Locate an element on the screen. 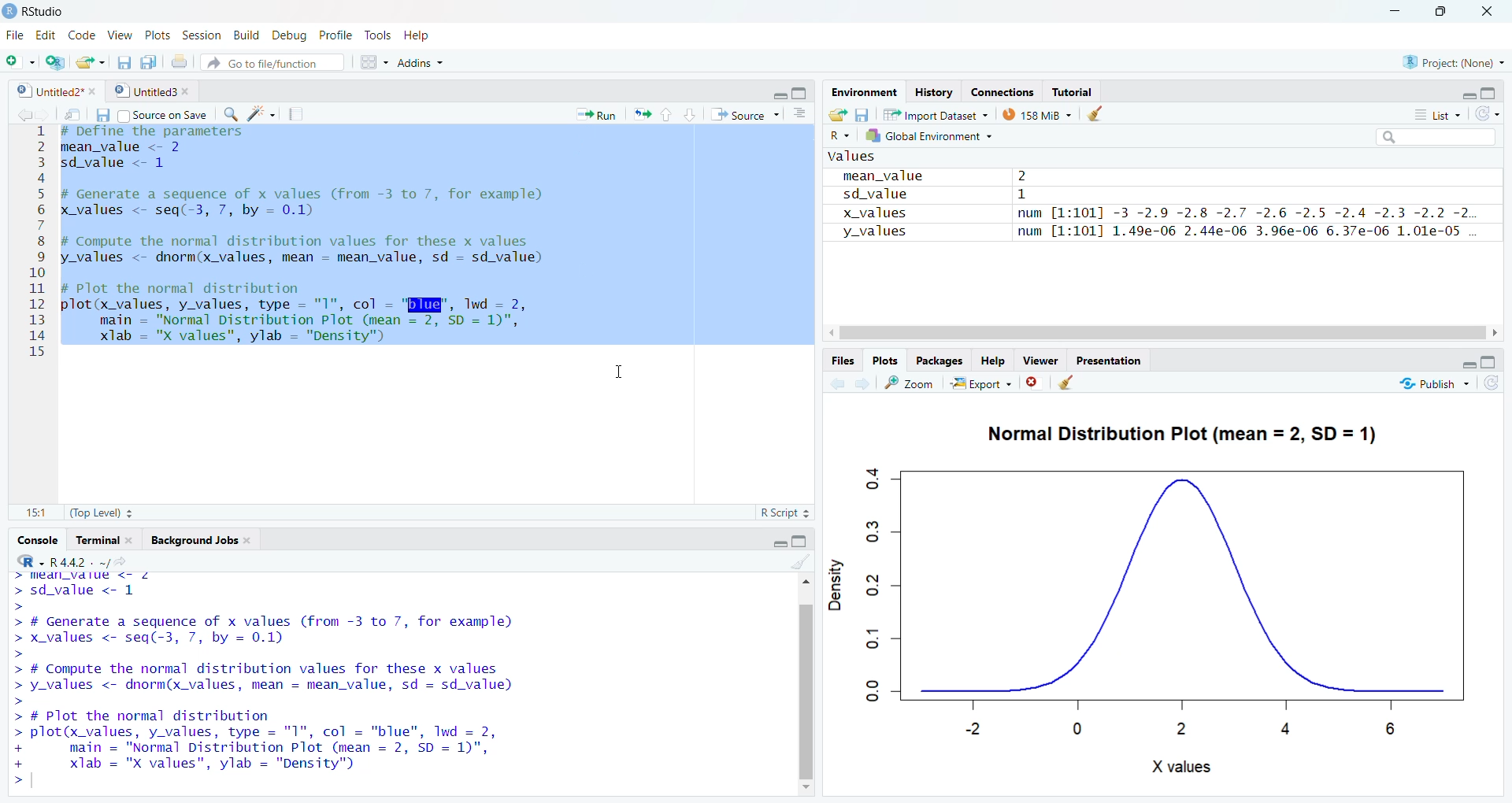 The image size is (1512, 803).  is located at coordinates (799, 114).